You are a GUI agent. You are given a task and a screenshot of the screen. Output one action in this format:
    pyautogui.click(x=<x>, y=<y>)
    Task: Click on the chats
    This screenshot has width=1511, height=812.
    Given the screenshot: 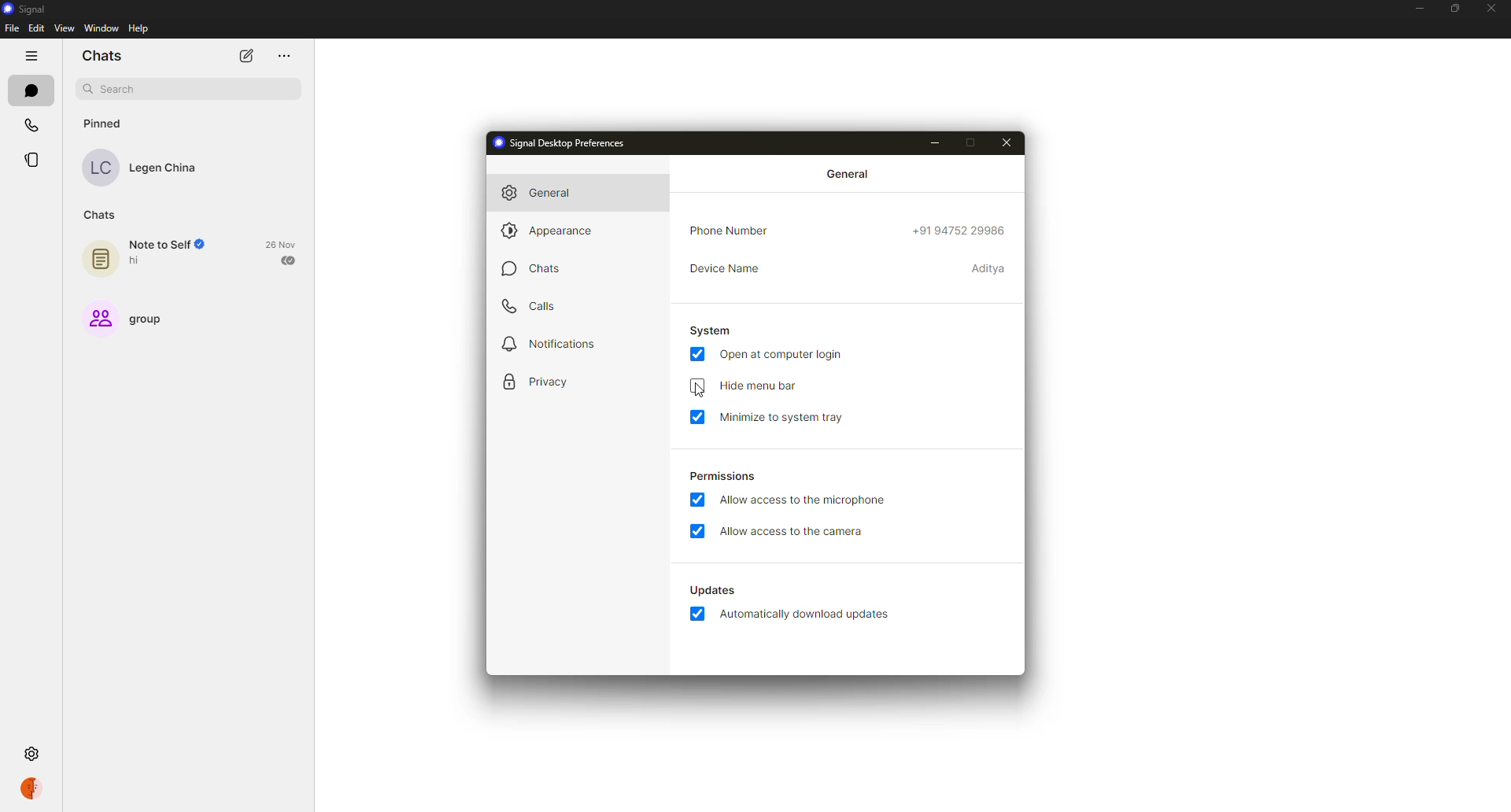 What is the action you would take?
    pyautogui.click(x=102, y=55)
    